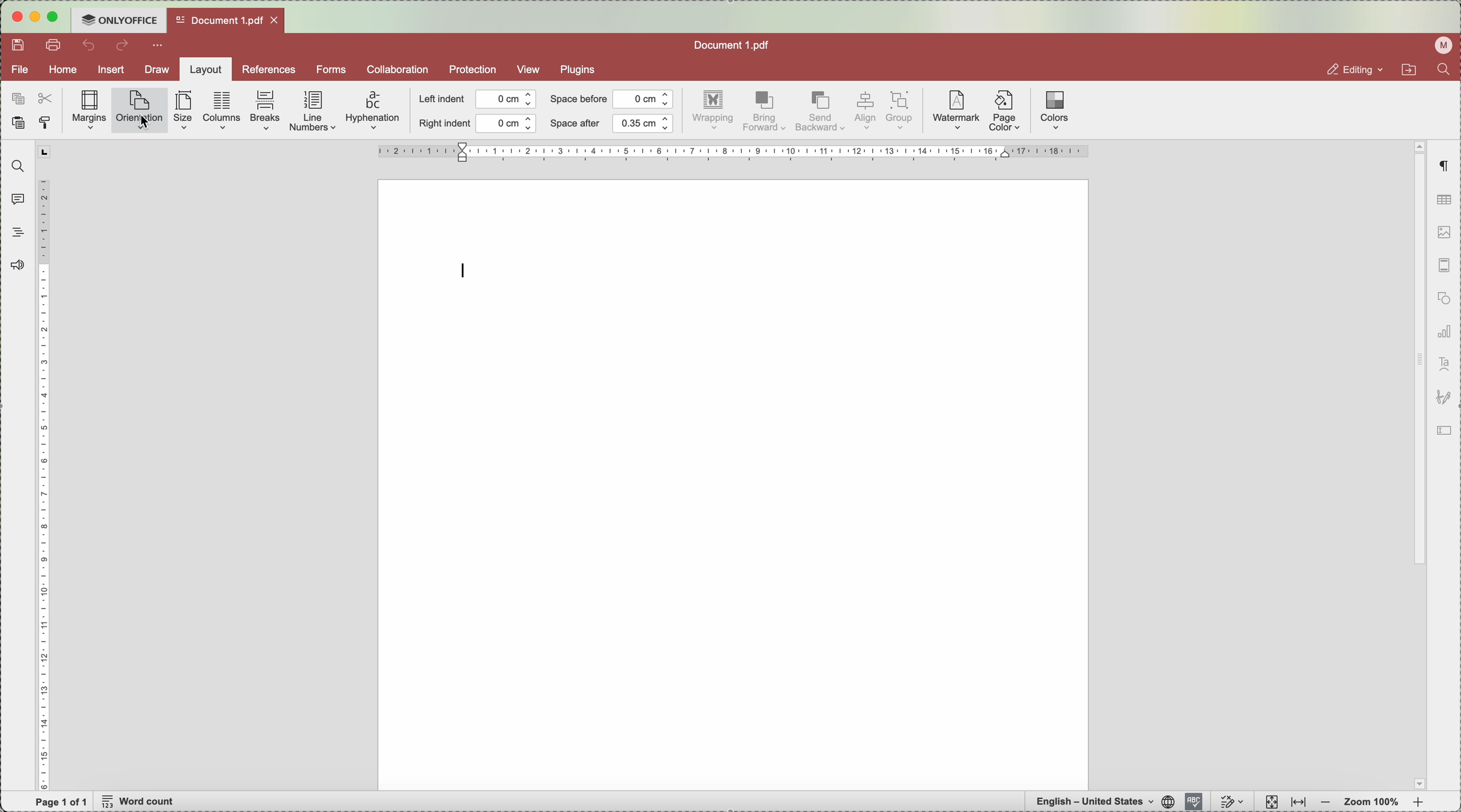 This screenshot has height=812, width=1461. Describe the element at coordinates (1407, 71) in the screenshot. I see `open file location` at that location.